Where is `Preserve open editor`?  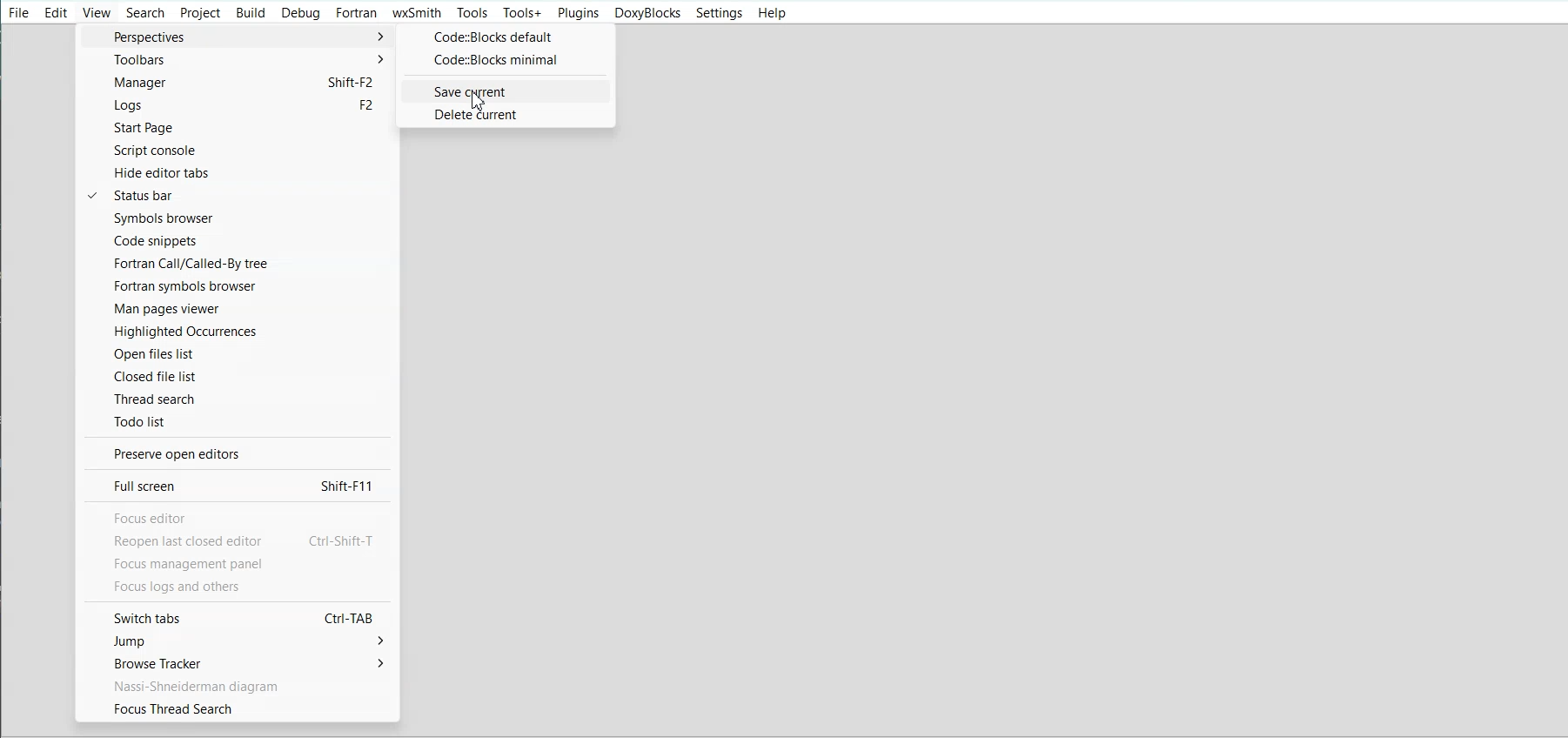
Preserve open editor is located at coordinates (235, 454).